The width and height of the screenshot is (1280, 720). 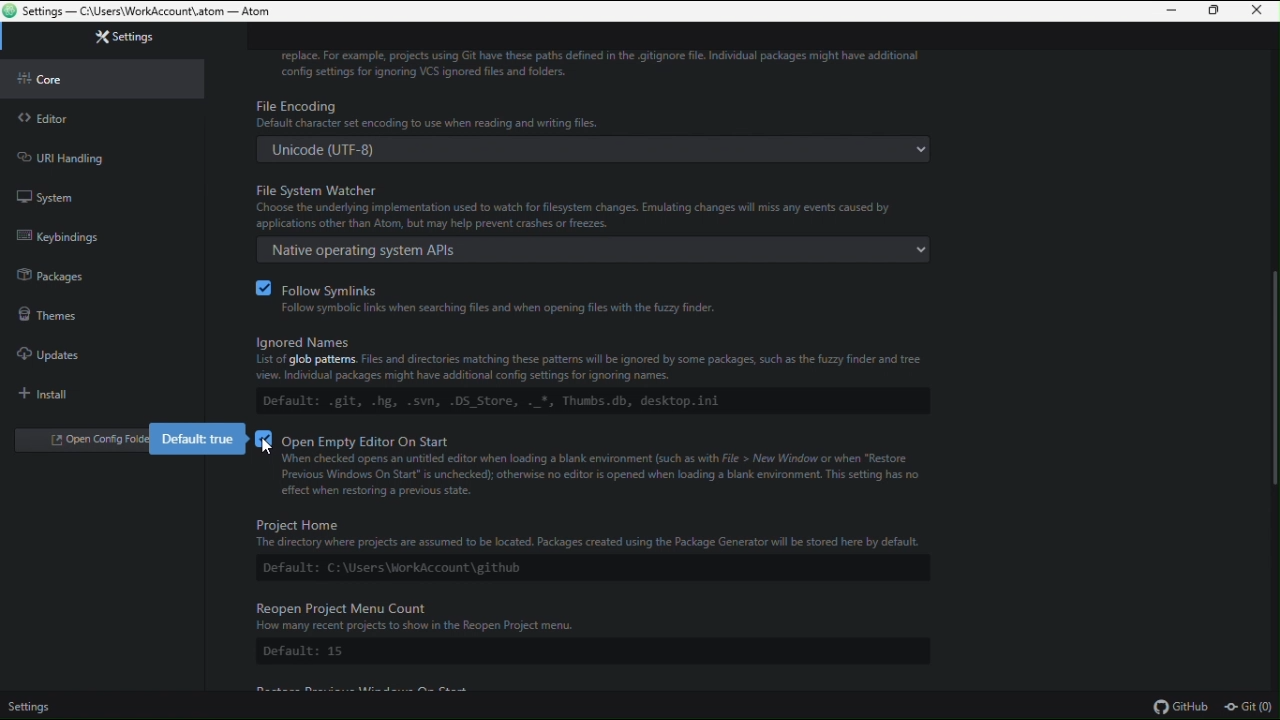 What do you see at coordinates (1175, 11) in the screenshot?
I see `minimize` at bounding box center [1175, 11].